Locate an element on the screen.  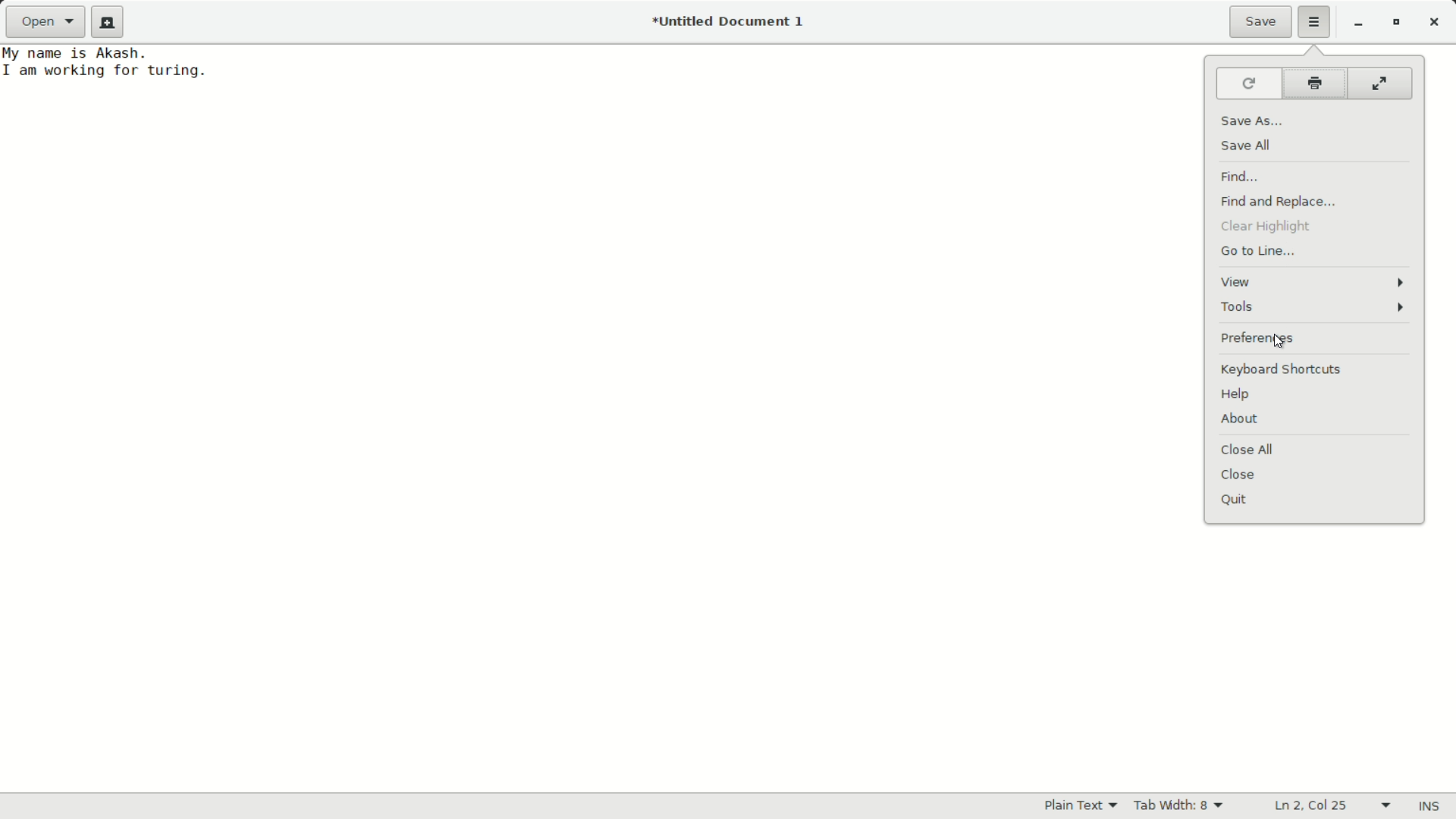
save is located at coordinates (1261, 24).